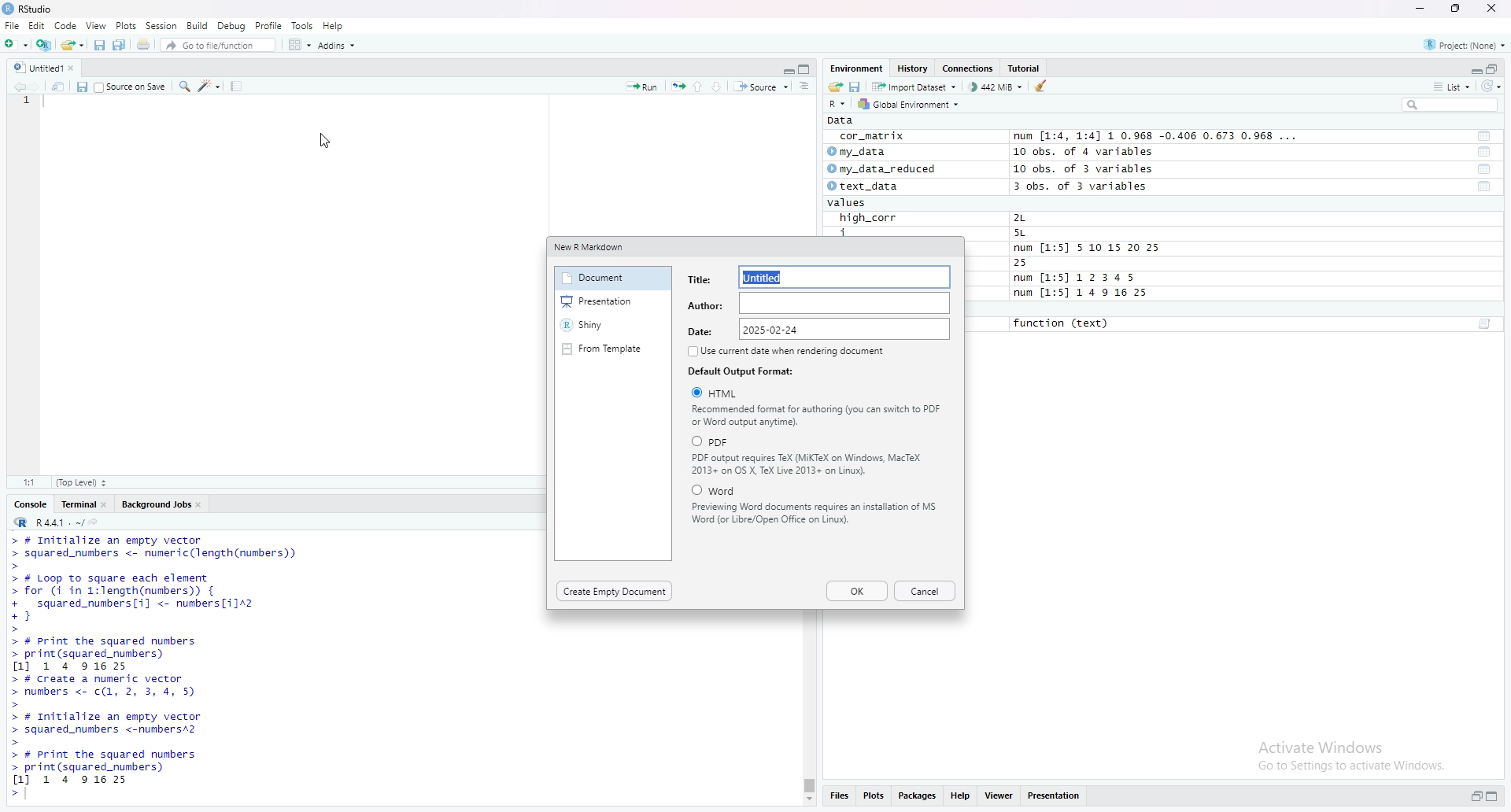  What do you see at coordinates (999, 798) in the screenshot?
I see `View` at bounding box center [999, 798].